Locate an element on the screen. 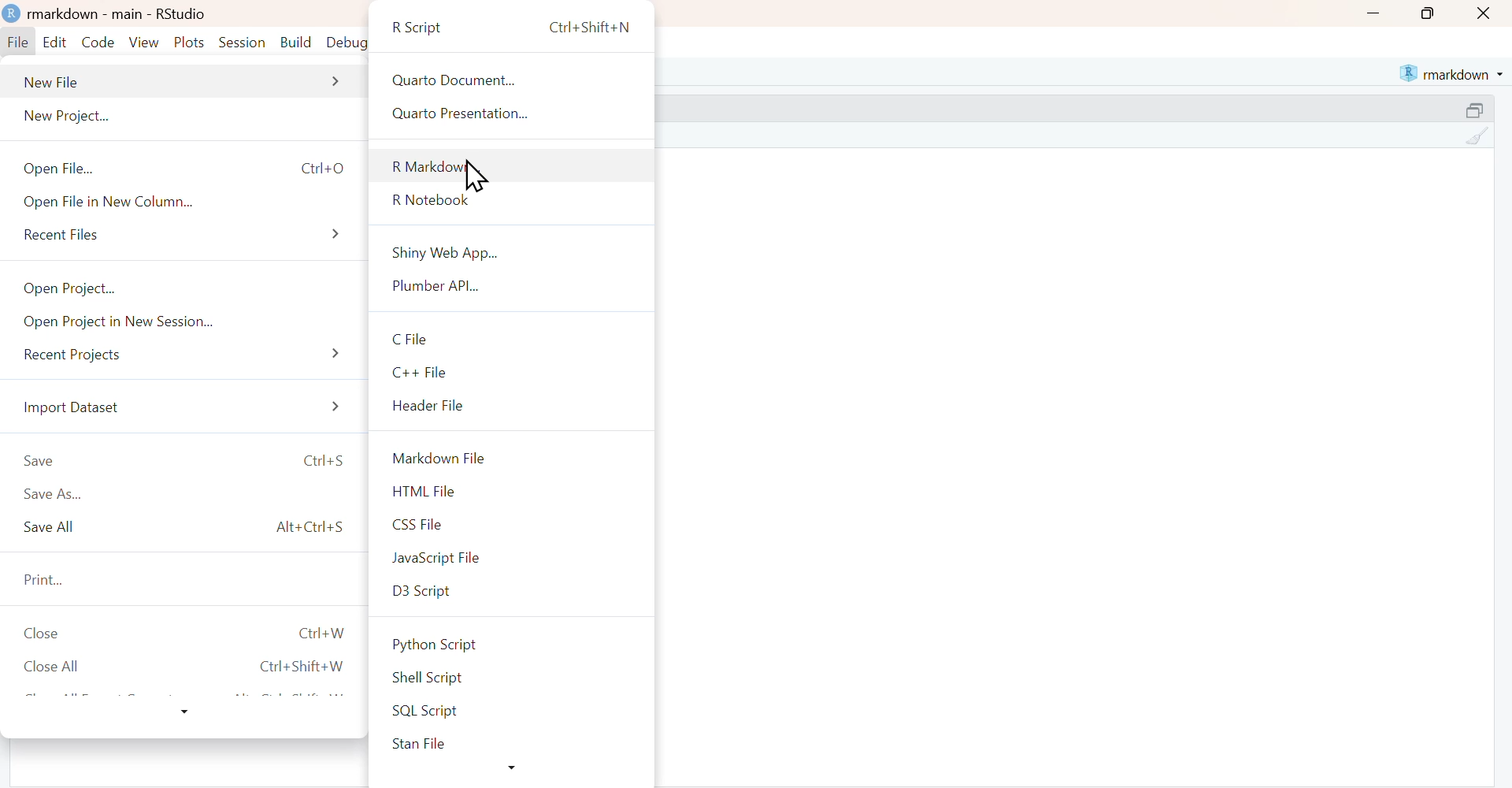 The width and height of the screenshot is (1512, 788). Rmarkdown - main - RStudio is located at coordinates (122, 13).